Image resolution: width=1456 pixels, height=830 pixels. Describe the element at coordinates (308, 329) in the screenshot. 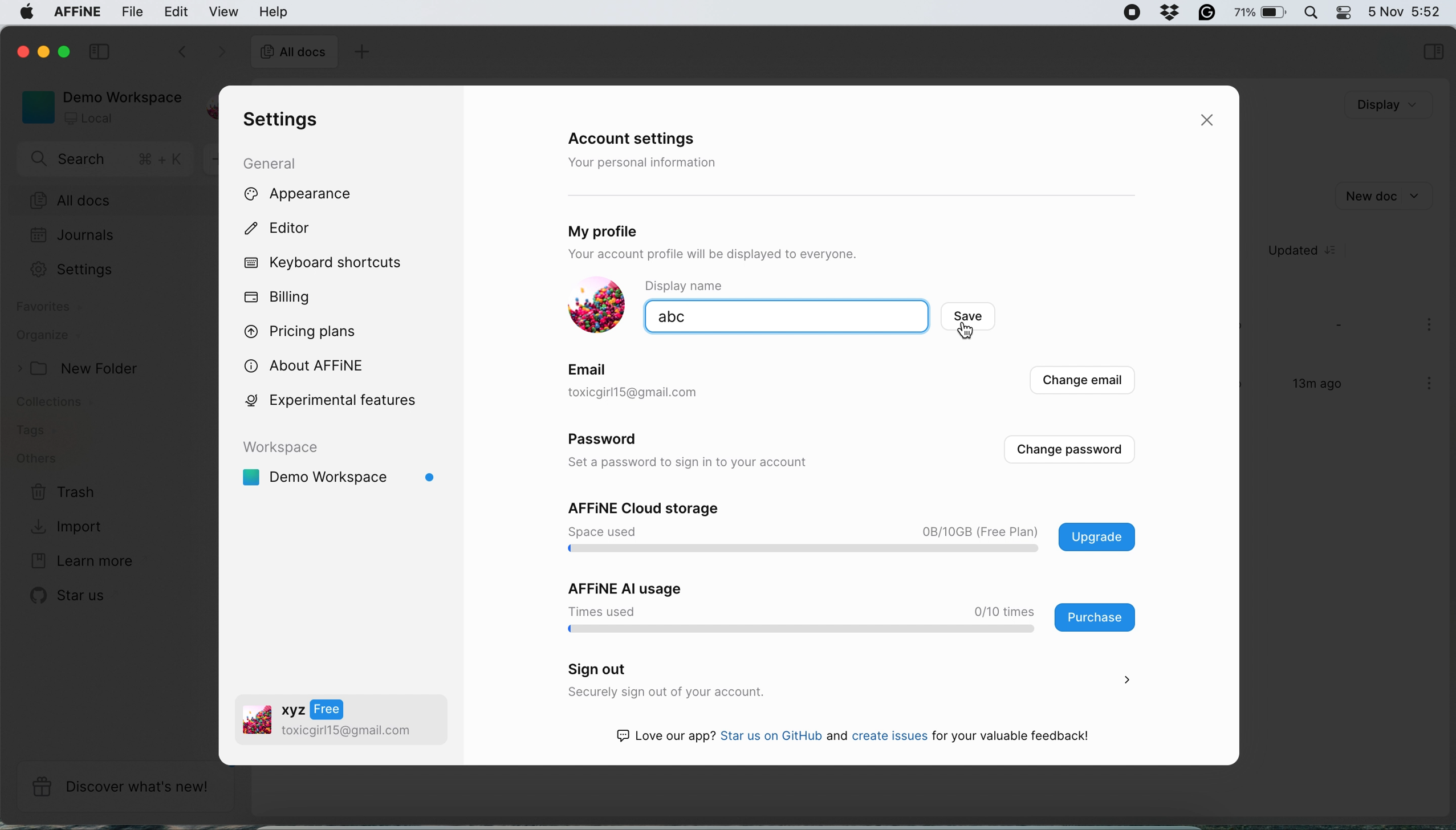

I see `pricing plans` at that location.